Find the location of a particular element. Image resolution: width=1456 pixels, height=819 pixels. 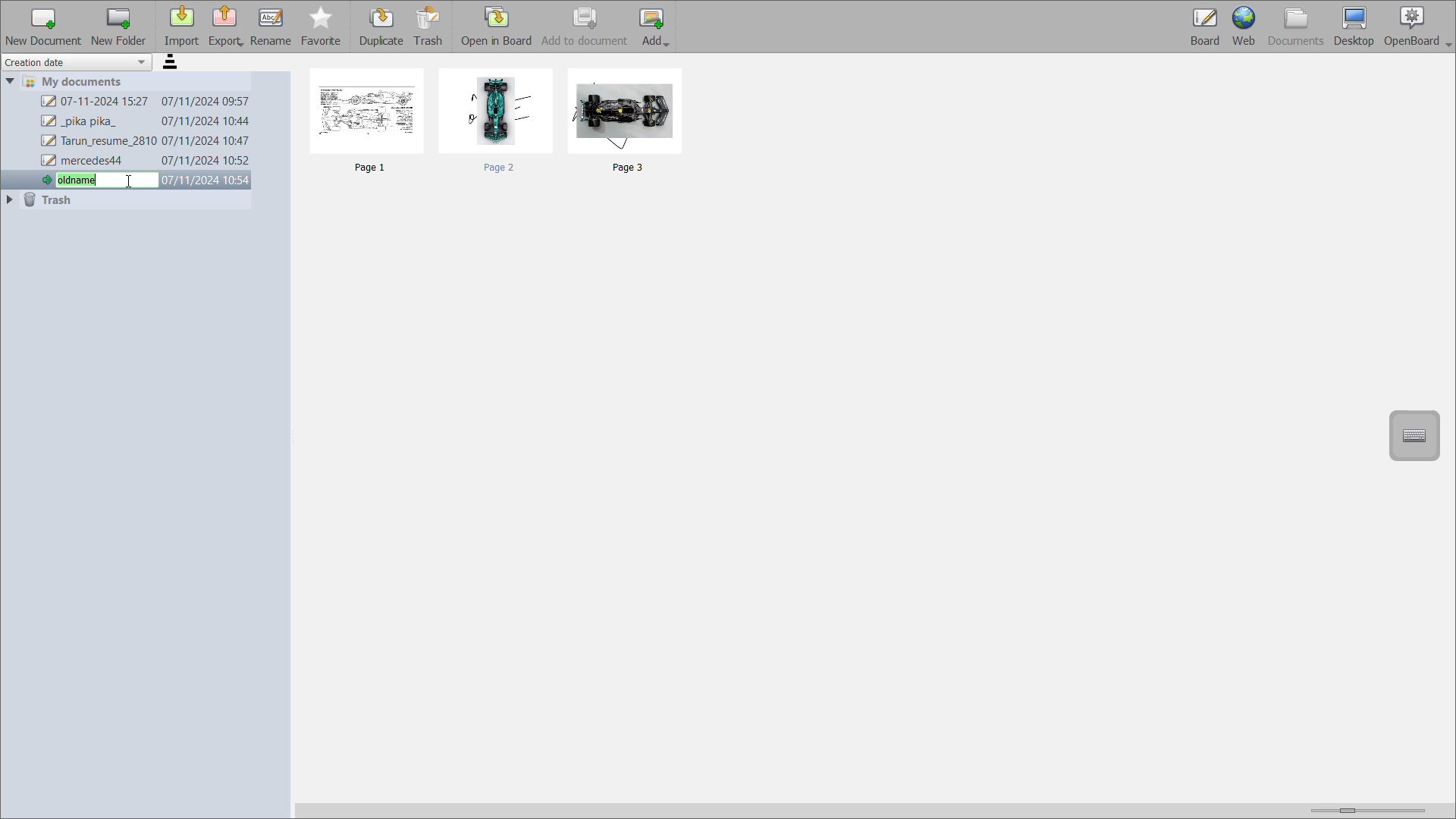

Tarun_resume_2810 07/11/2024 10:47 is located at coordinates (146, 142).